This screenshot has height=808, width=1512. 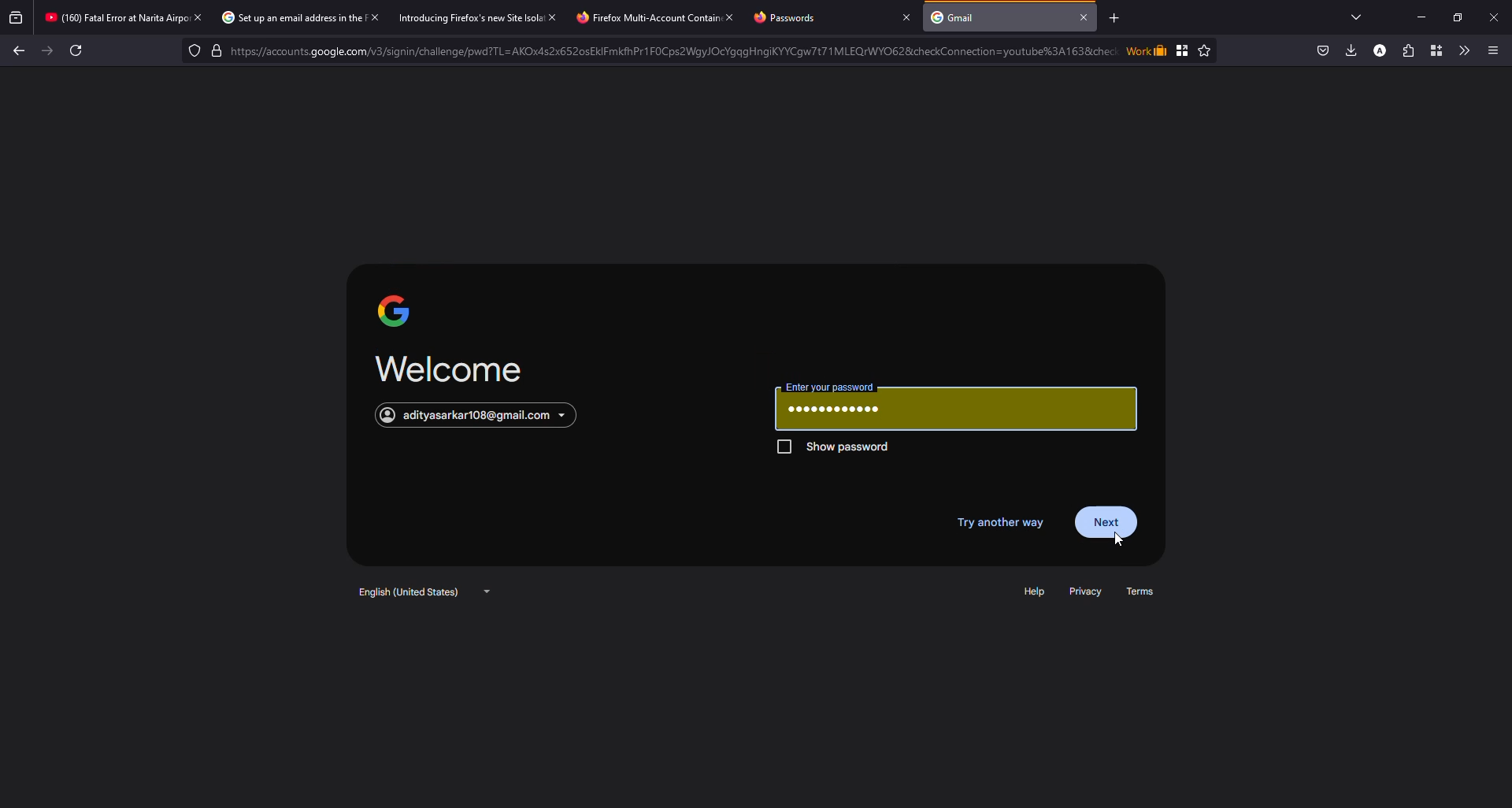 What do you see at coordinates (1457, 15) in the screenshot?
I see `maximize` at bounding box center [1457, 15].